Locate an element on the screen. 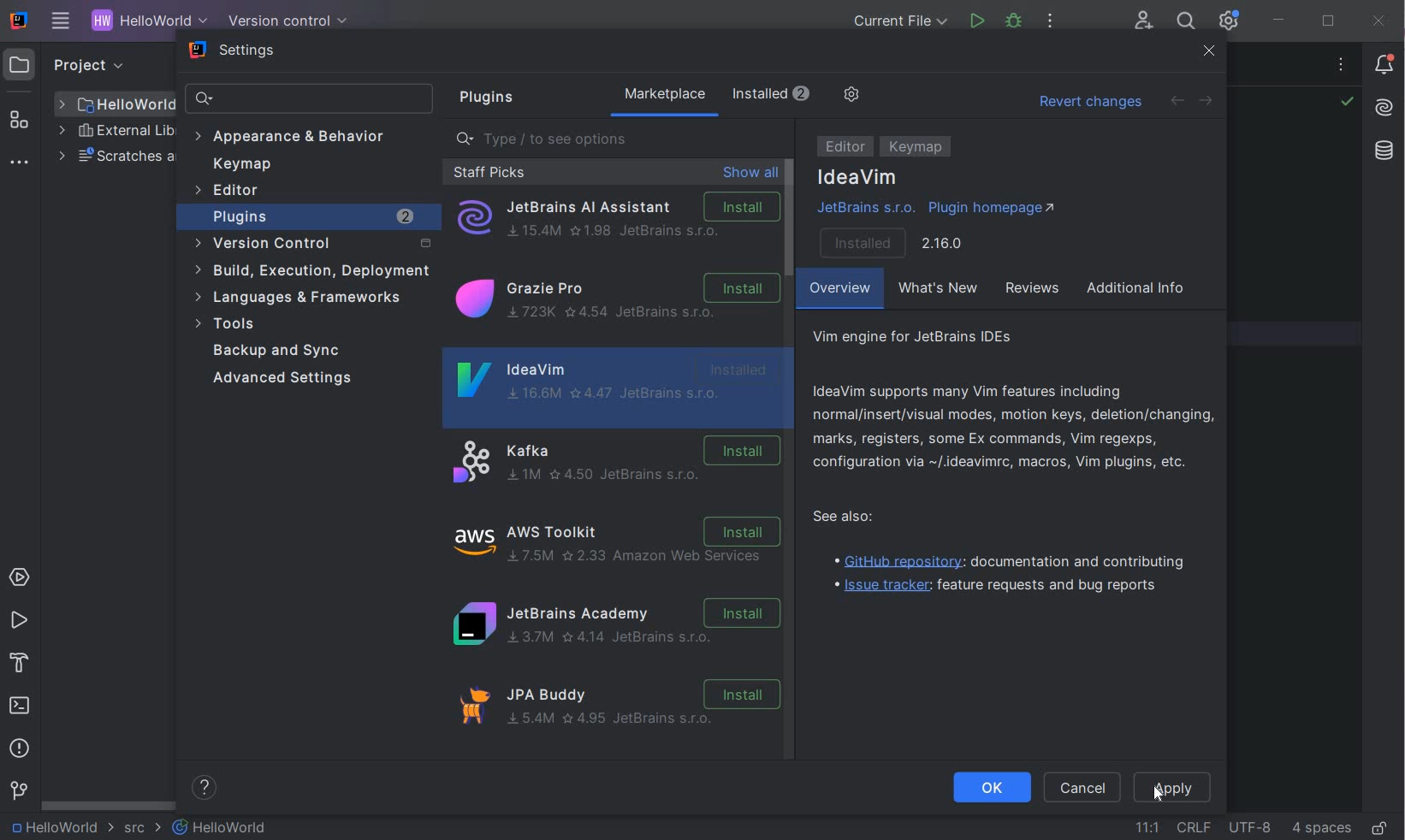  IDE AND PROJECT SETTINGS is located at coordinates (1227, 21).